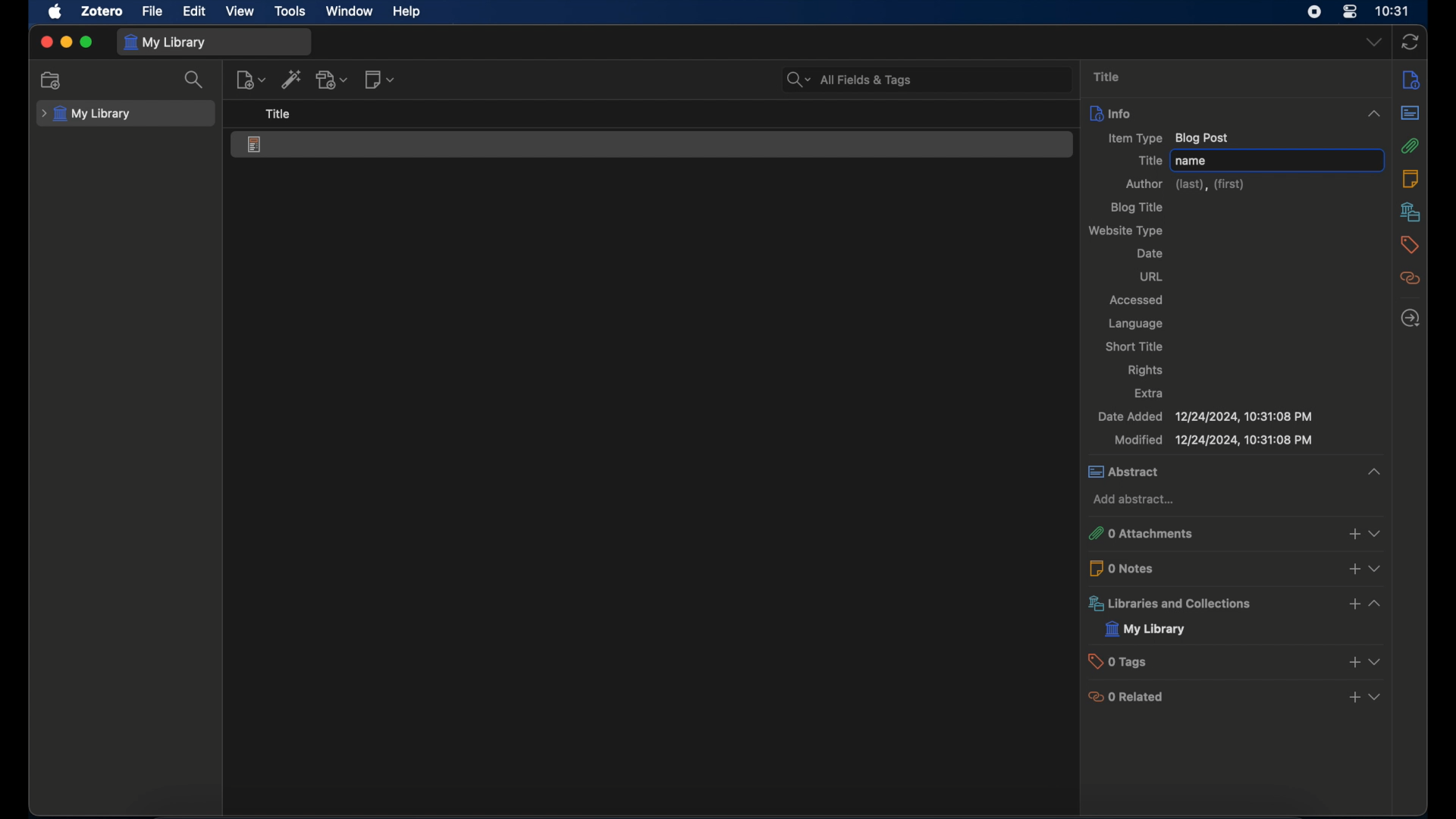 The image size is (1456, 819). Describe the element at coordinates (1411, 146) in the screenshot. I see `attachments` at that location.